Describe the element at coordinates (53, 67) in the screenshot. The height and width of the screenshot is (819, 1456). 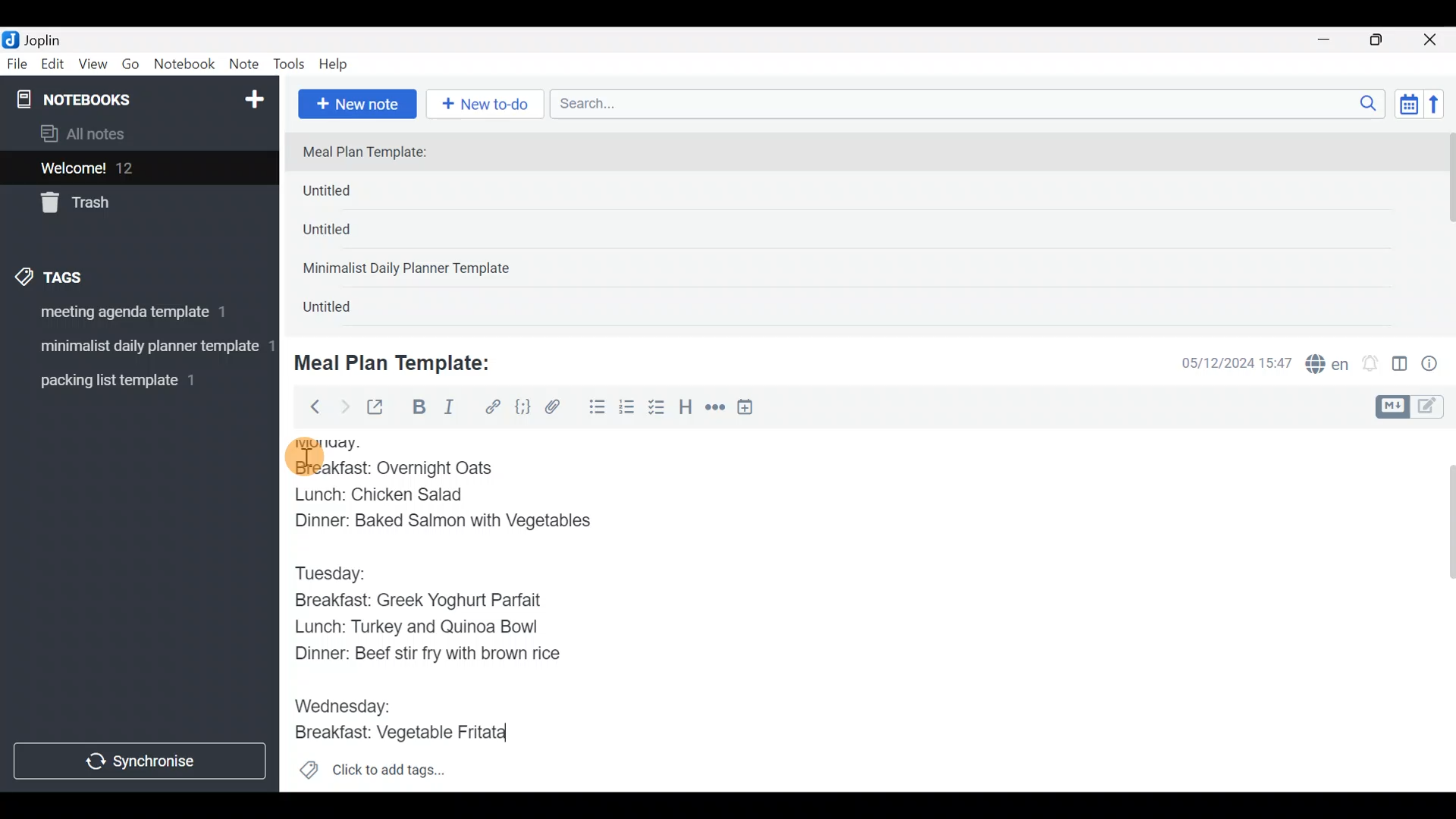
I see `Edit` at that location.